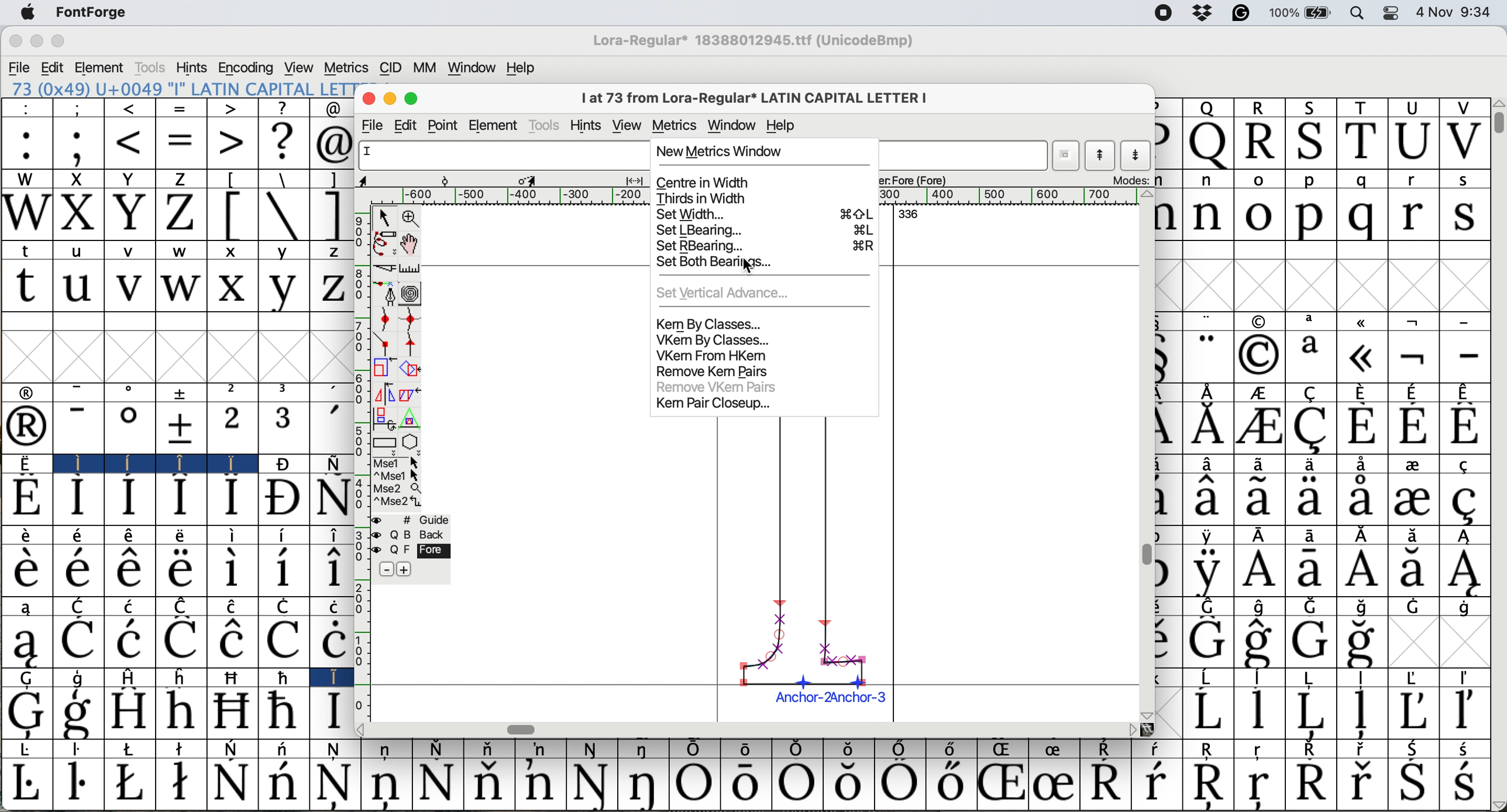 The image size is (1507, 812). Describe the element at coordinates (412, 293) in the screenshot. I see `change whether spiro is active or not` at that location.